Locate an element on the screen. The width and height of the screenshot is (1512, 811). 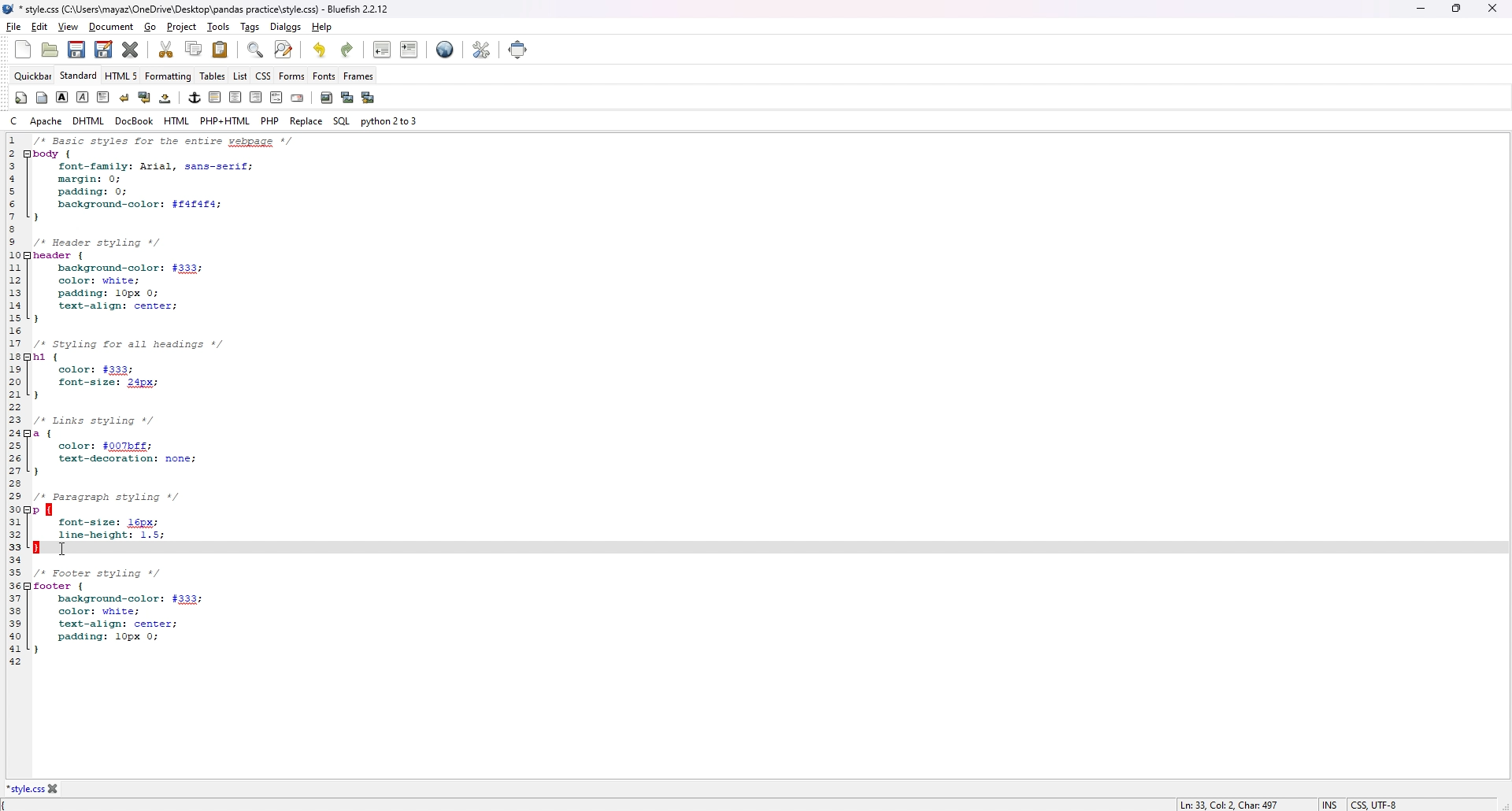
non-breaking space is located at coordinates (165, 98).